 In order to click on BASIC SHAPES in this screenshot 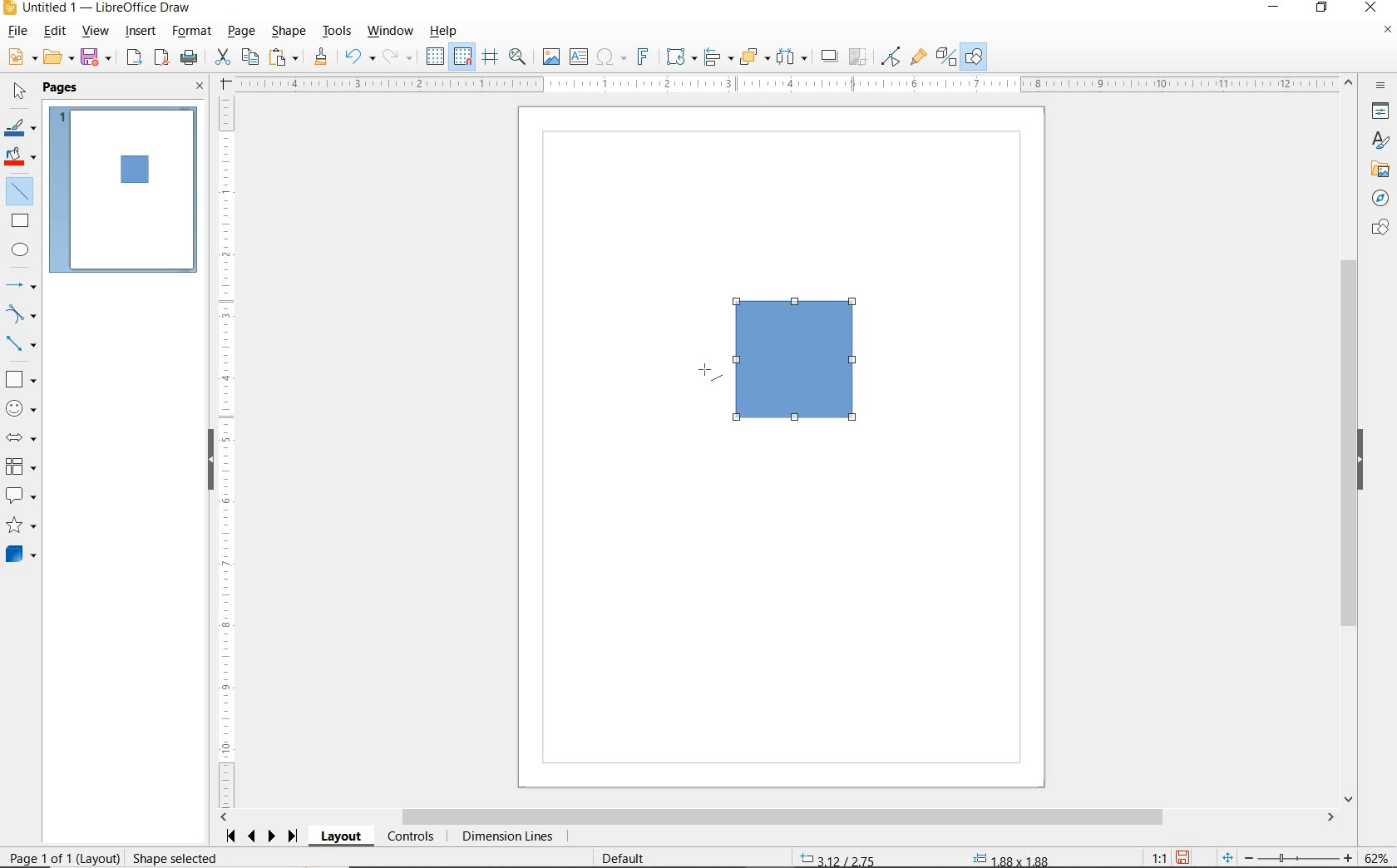, I will do `click(19, 377)`.